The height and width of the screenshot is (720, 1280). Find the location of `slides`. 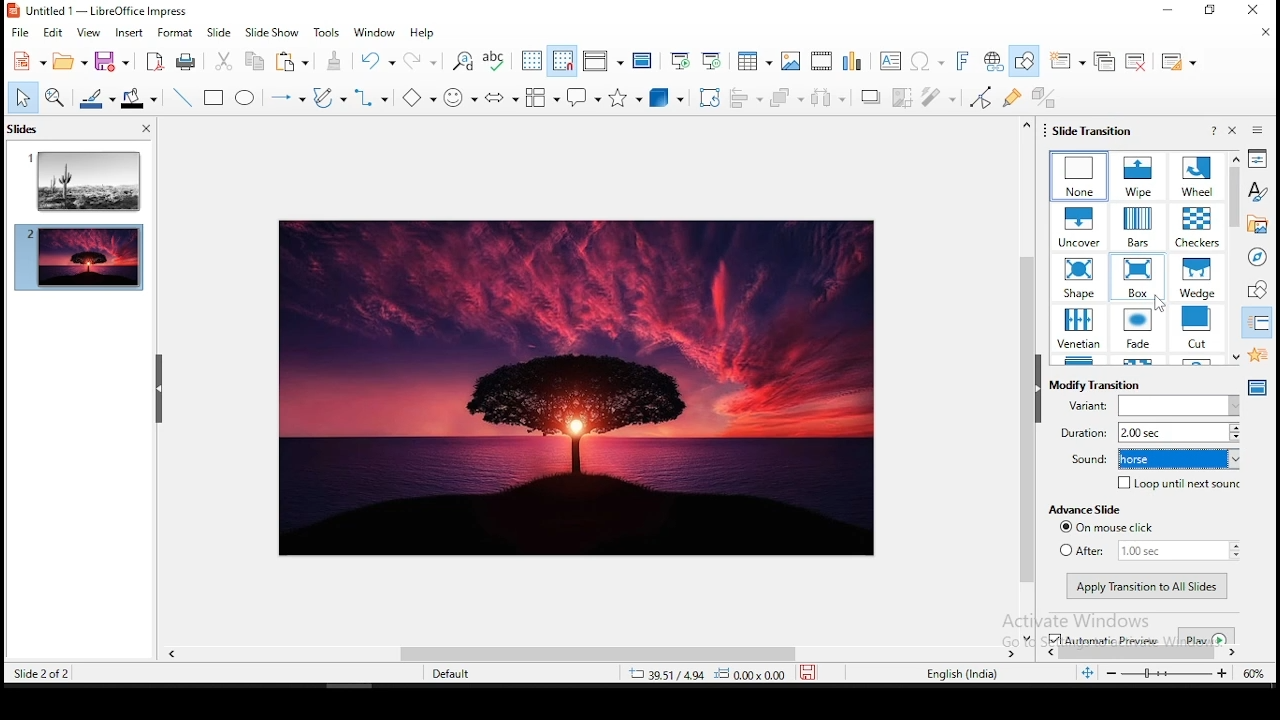

slides is located at coordinates (22, 129).